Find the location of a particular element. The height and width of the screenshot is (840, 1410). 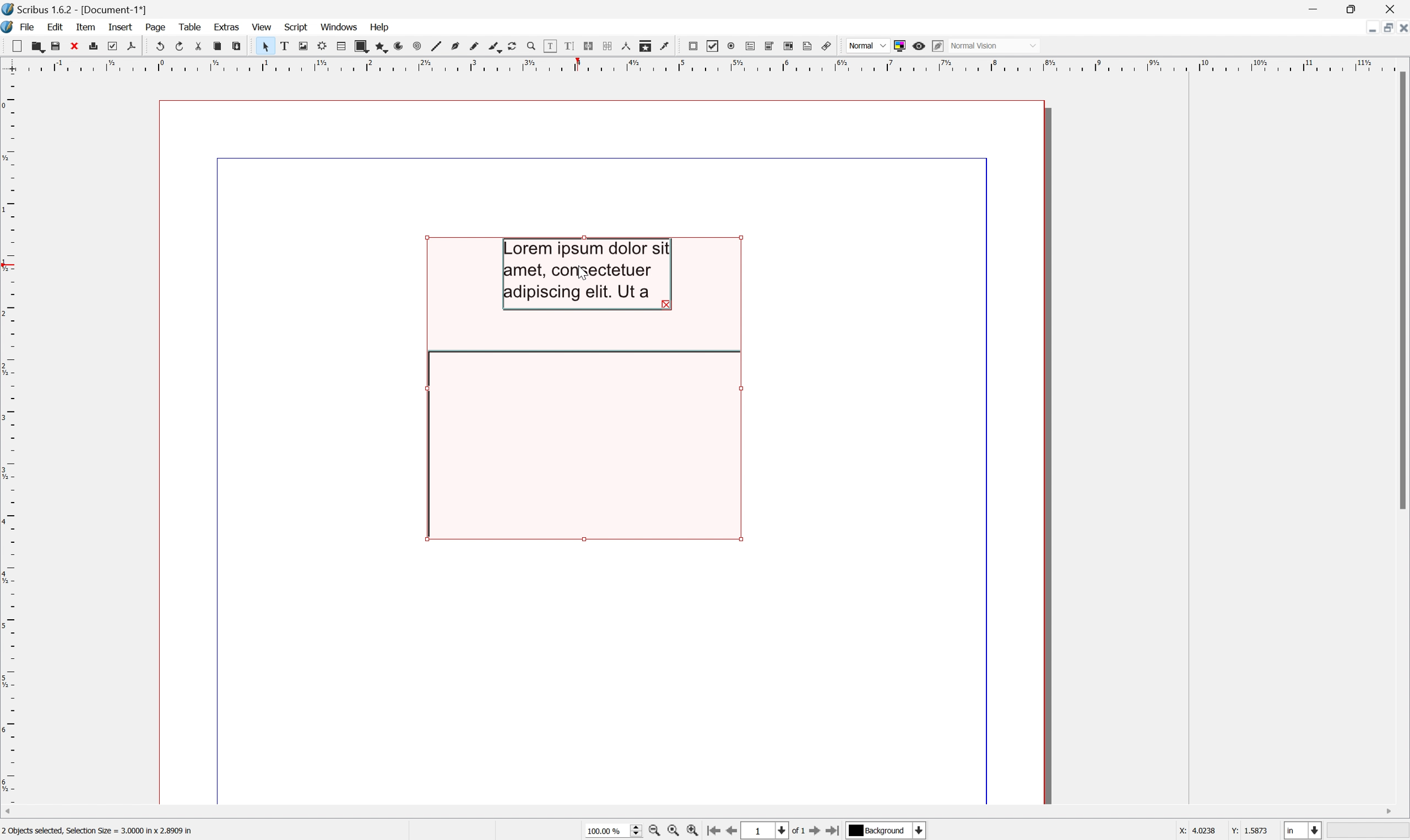

Insert is located at coordinates (119, 26).